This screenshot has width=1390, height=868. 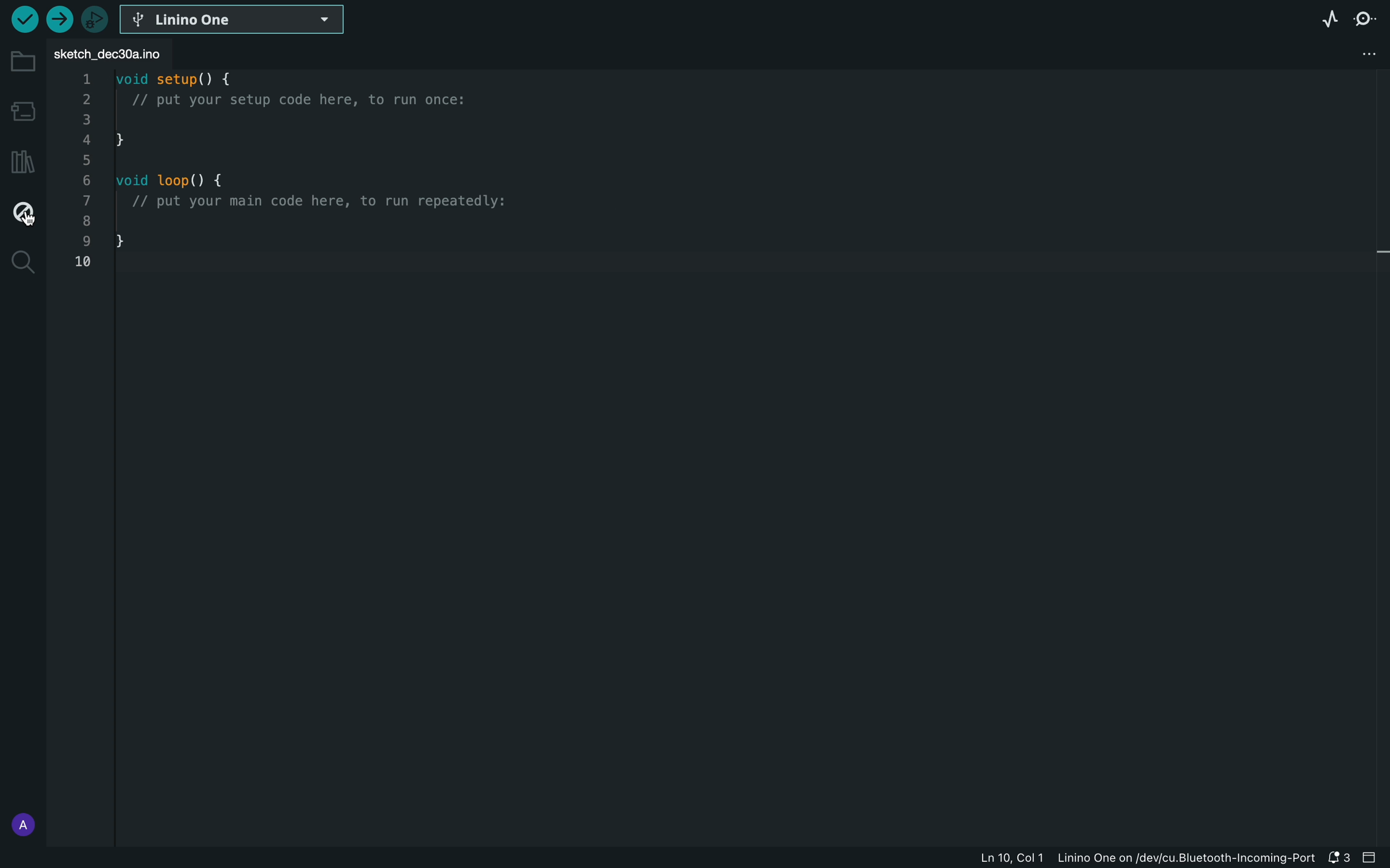 What do you see at coordinates (61, 18) in the screenshot?
I see `upload` at bounding box center [61, 18].